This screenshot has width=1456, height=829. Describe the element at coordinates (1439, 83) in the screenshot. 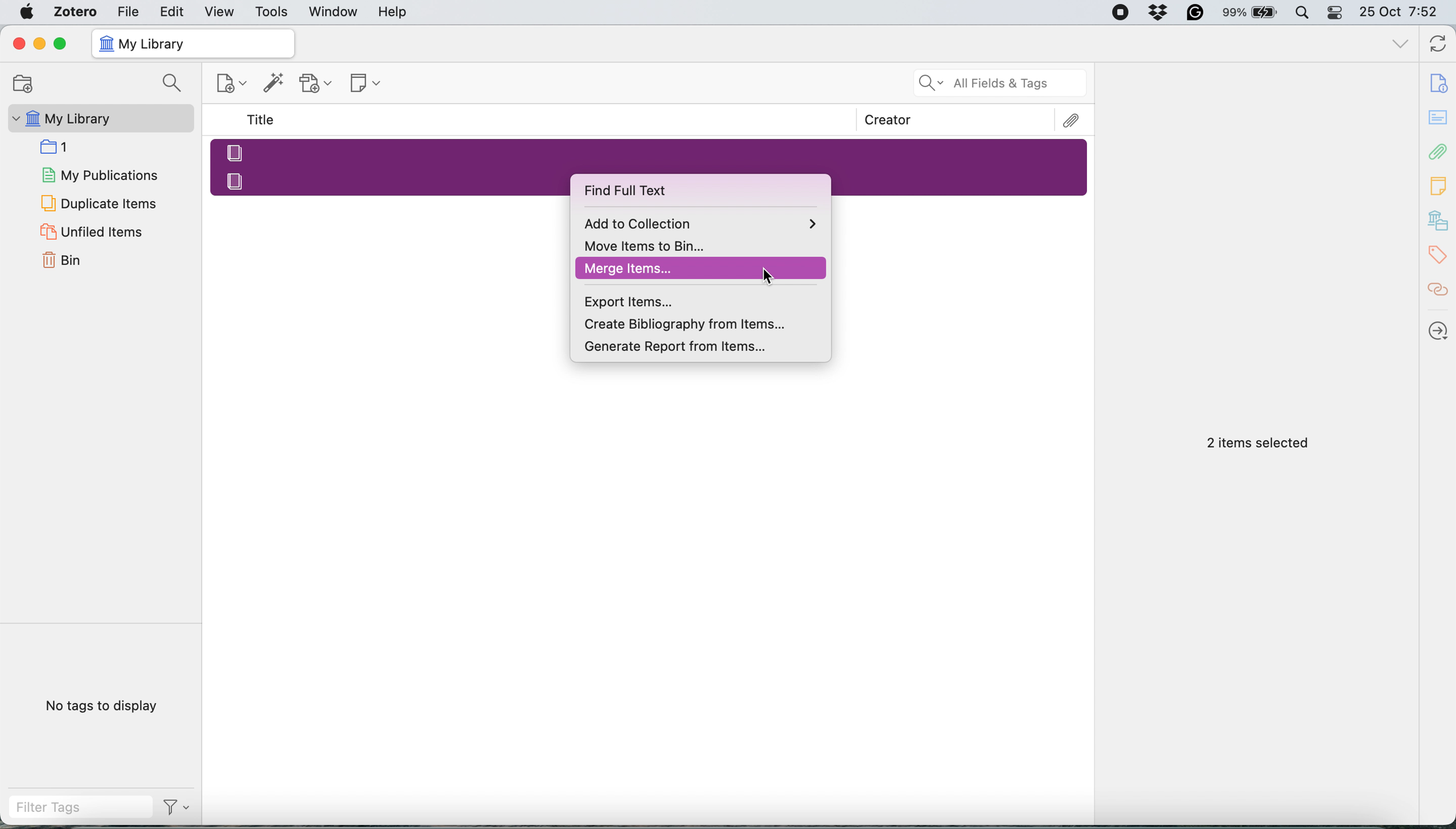

I see `Document` at that location.